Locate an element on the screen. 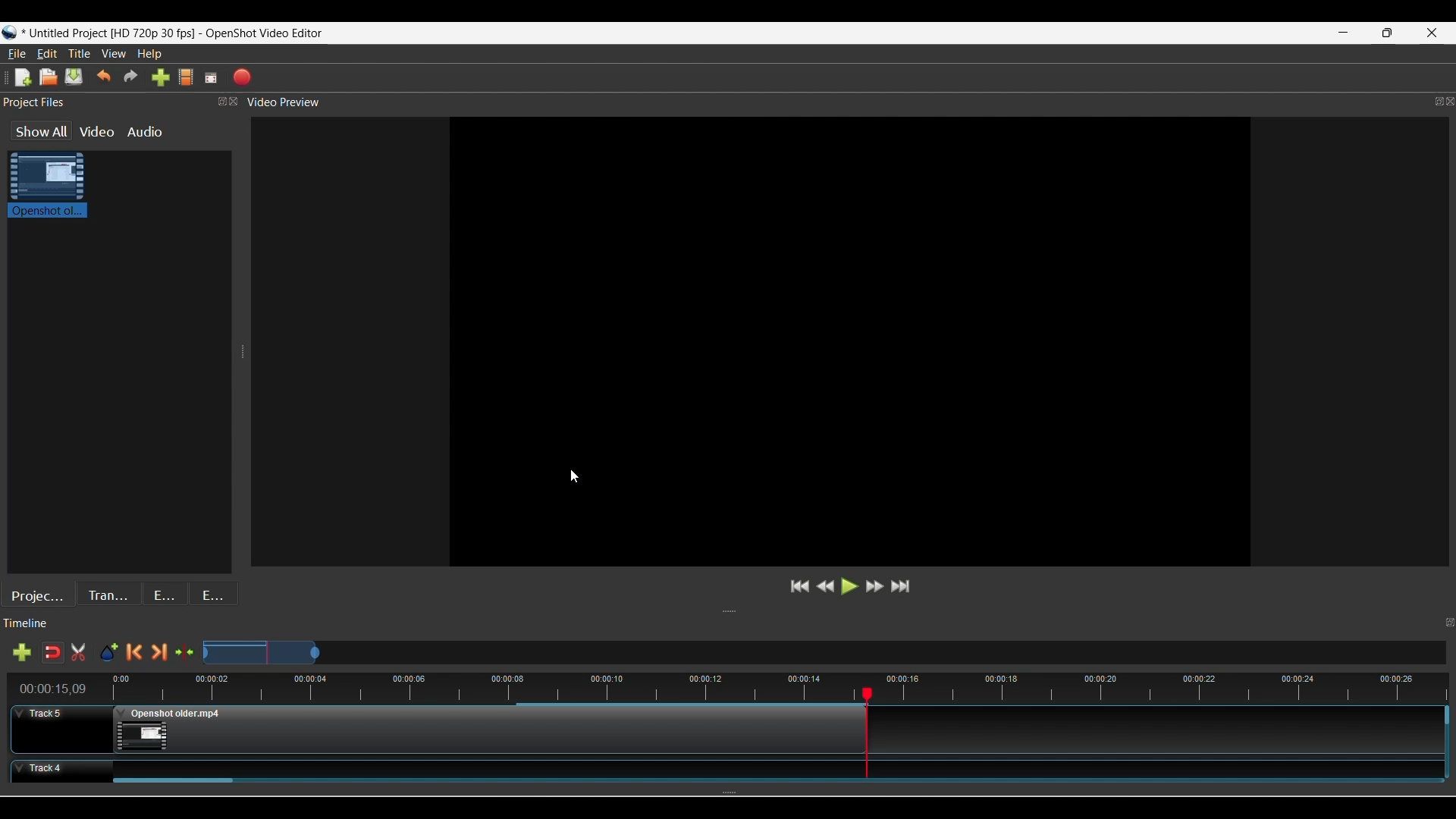 This screenshot has width=1456, height=819. Jump to start is located at coordinates (800, 586).